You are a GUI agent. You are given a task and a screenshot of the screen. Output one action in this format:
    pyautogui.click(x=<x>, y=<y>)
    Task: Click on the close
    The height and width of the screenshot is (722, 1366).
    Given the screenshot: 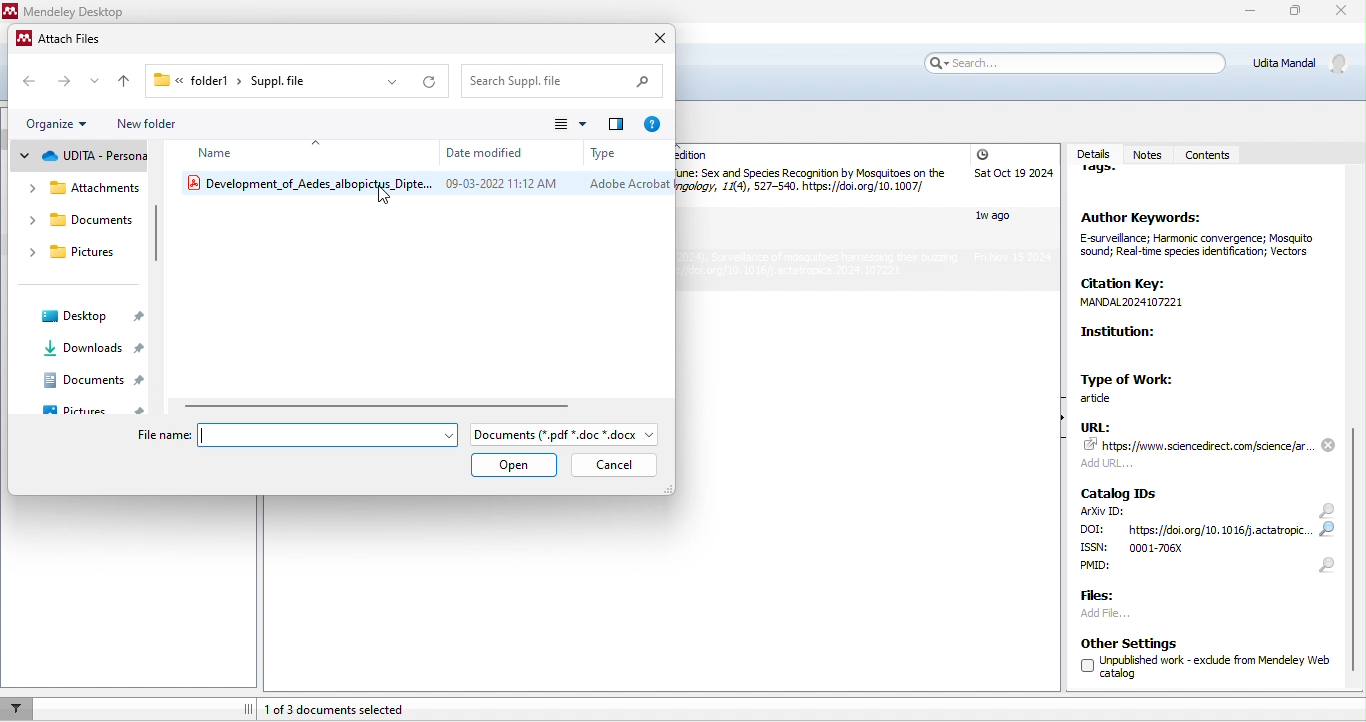 What is the action you would take?
    pyautogui.click(x=655, y=38)
    